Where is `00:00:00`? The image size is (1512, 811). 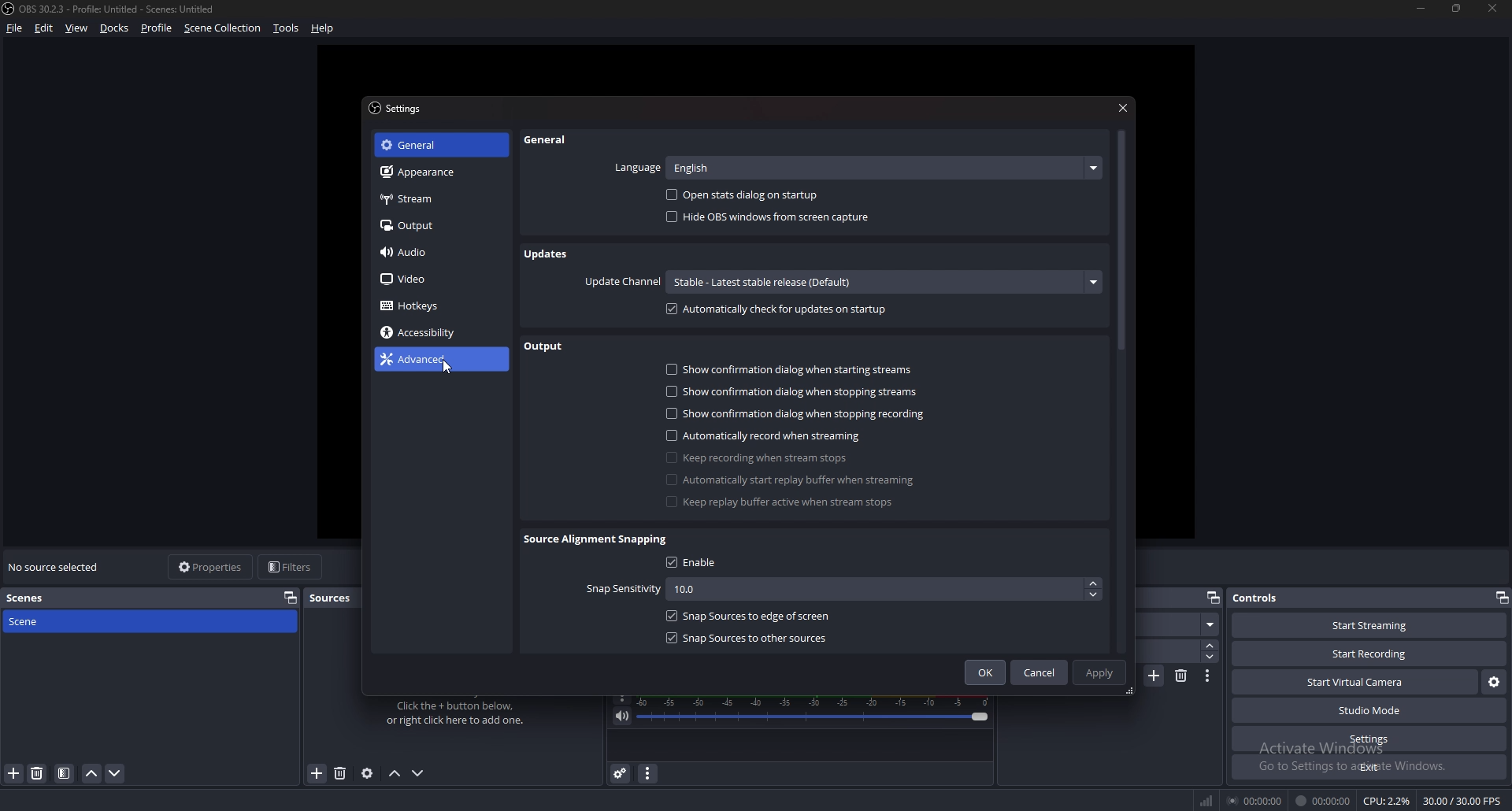
00:00:00 is located at coordinates (1254, 801).